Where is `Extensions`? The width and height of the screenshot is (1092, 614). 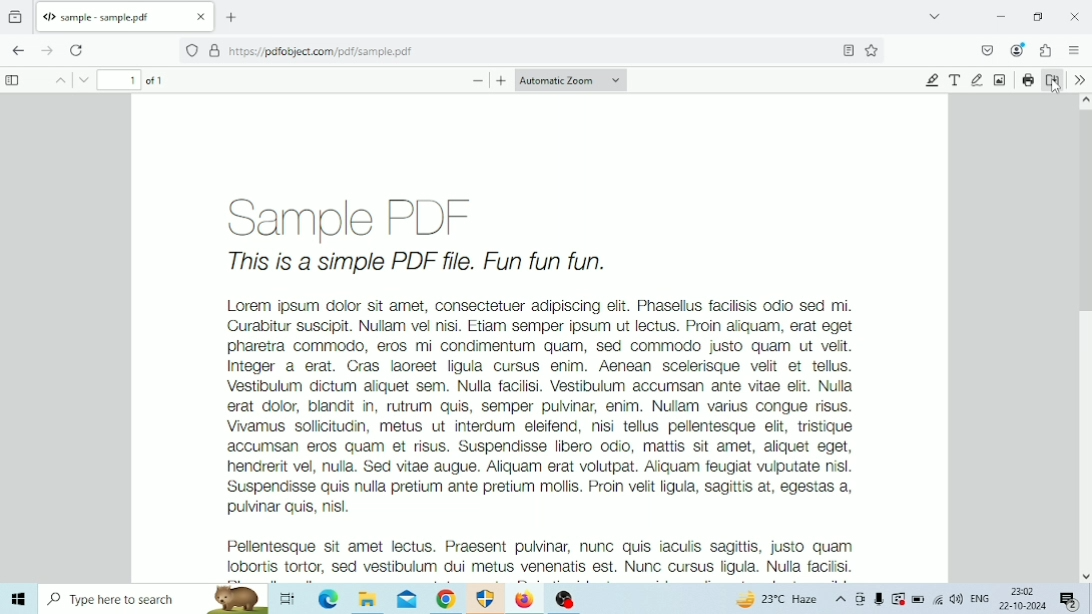
Extensions is located at coordinates (1047, 51).